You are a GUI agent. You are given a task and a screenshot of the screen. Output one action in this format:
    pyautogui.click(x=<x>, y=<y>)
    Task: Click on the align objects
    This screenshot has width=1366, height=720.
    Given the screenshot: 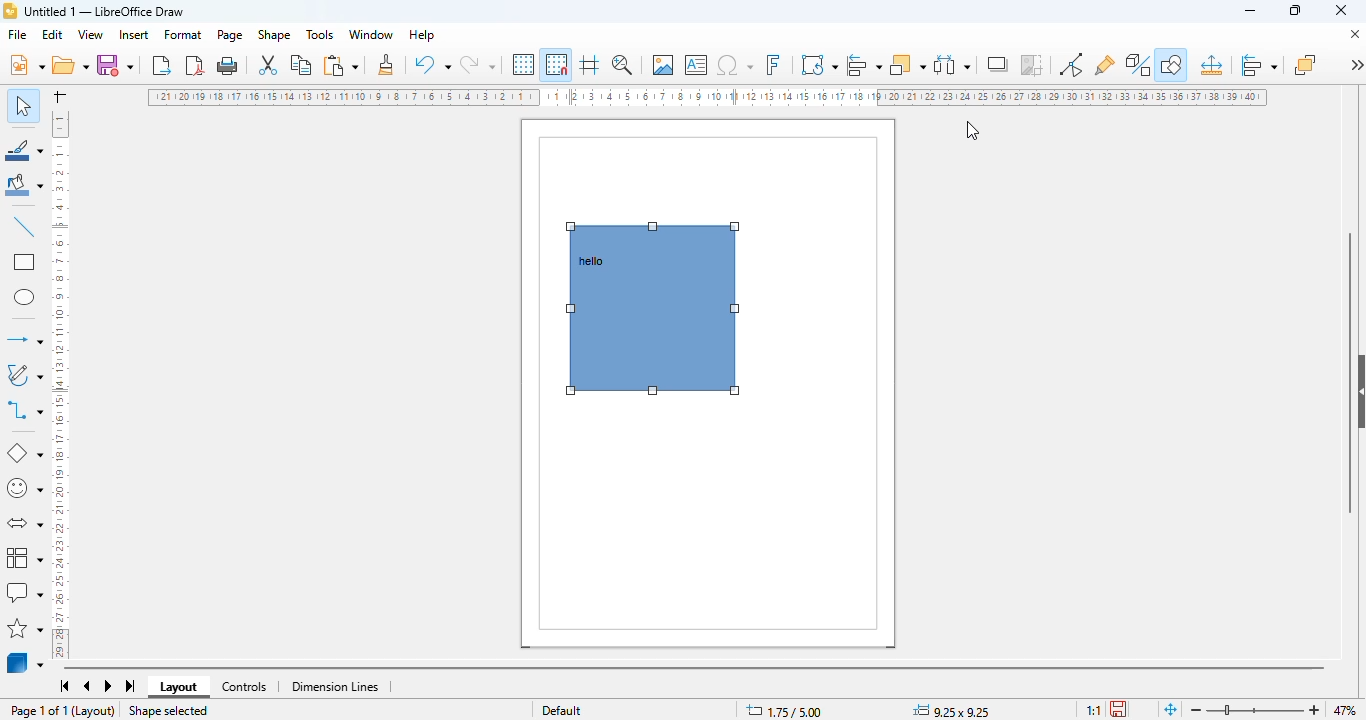 What is the action you would take?
    pyautogui.click(x=1259, y=65)
    